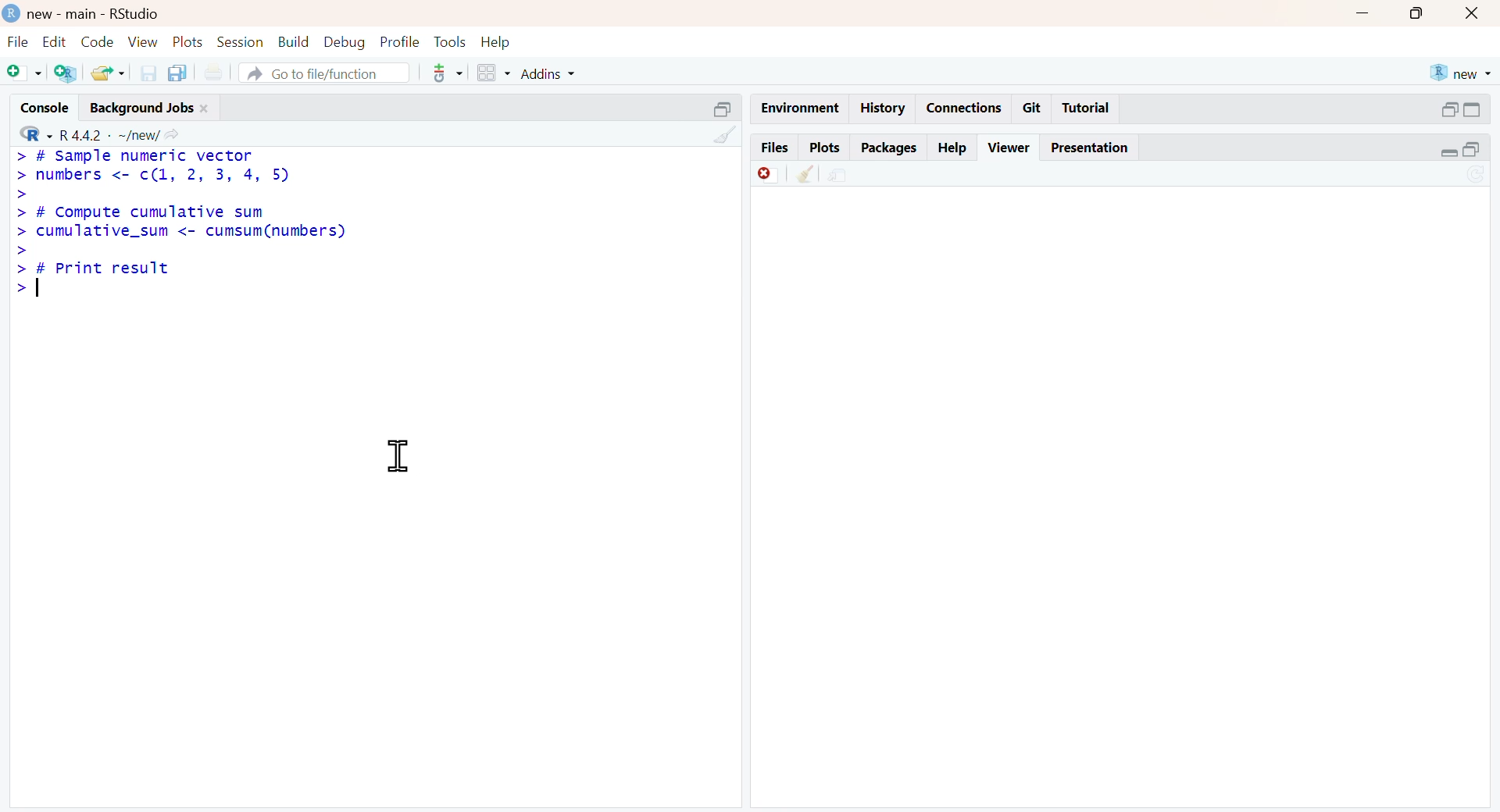 This screenshot has width=1500, height=812. Describe the element at coordinates (1477, 175) in the screenshot. I see `sync` at that location.